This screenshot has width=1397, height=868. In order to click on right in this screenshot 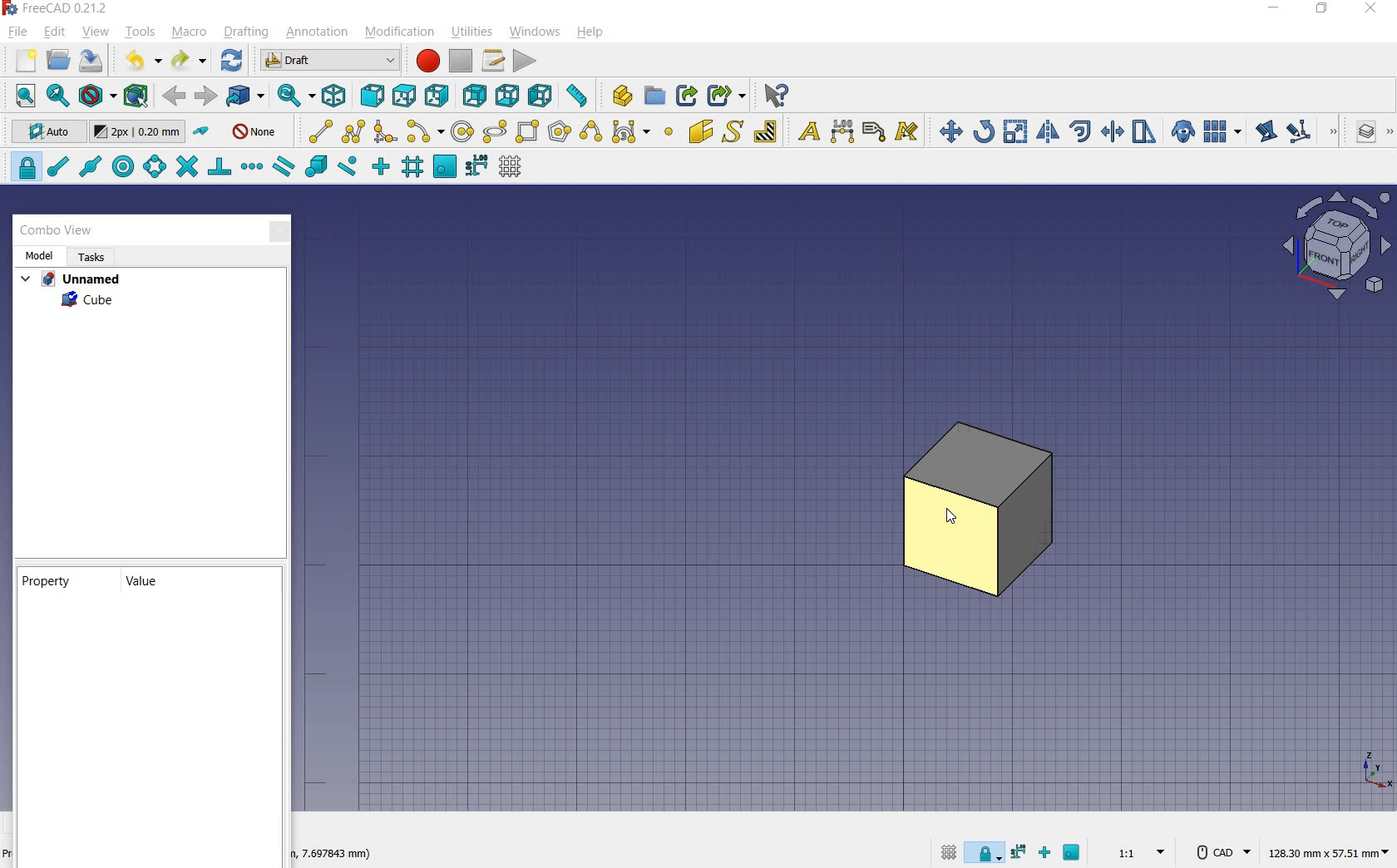, I will do `click(437, 95)`.